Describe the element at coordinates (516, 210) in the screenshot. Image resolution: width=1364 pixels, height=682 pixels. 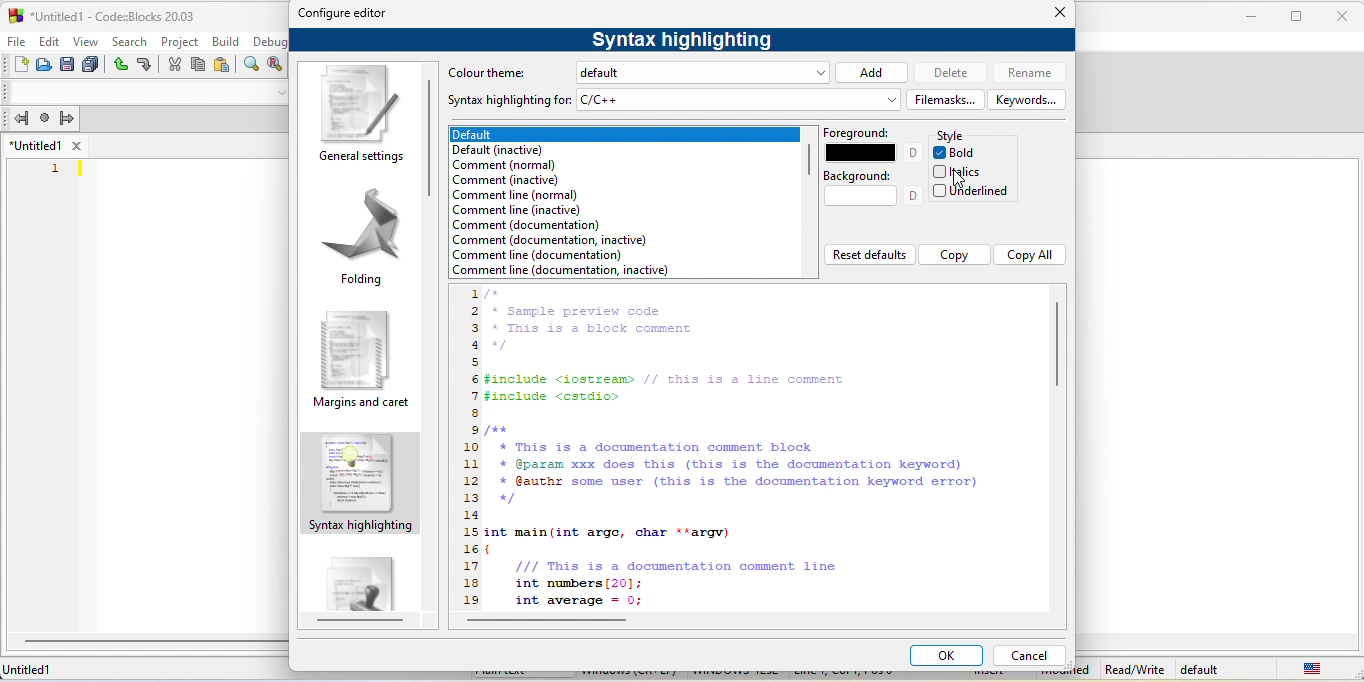
I see `comment line inactive` at that location.